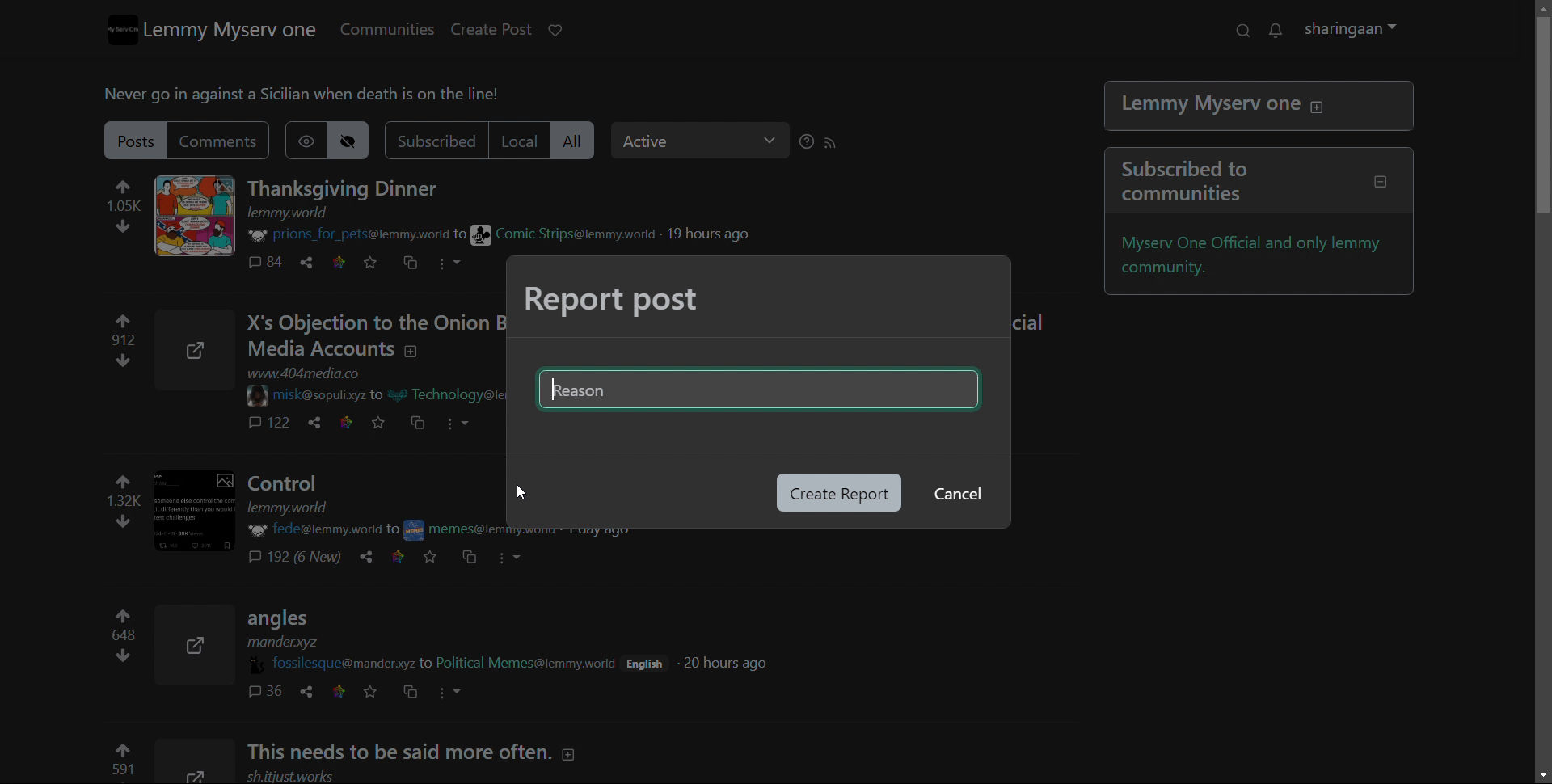 The width and height of the screenshot is (1552, 784). What do you see at coordinates (1263, 256) in the screenshot?
I see `myserv one official and only lemmy community` at bounding box center [1263, 256].